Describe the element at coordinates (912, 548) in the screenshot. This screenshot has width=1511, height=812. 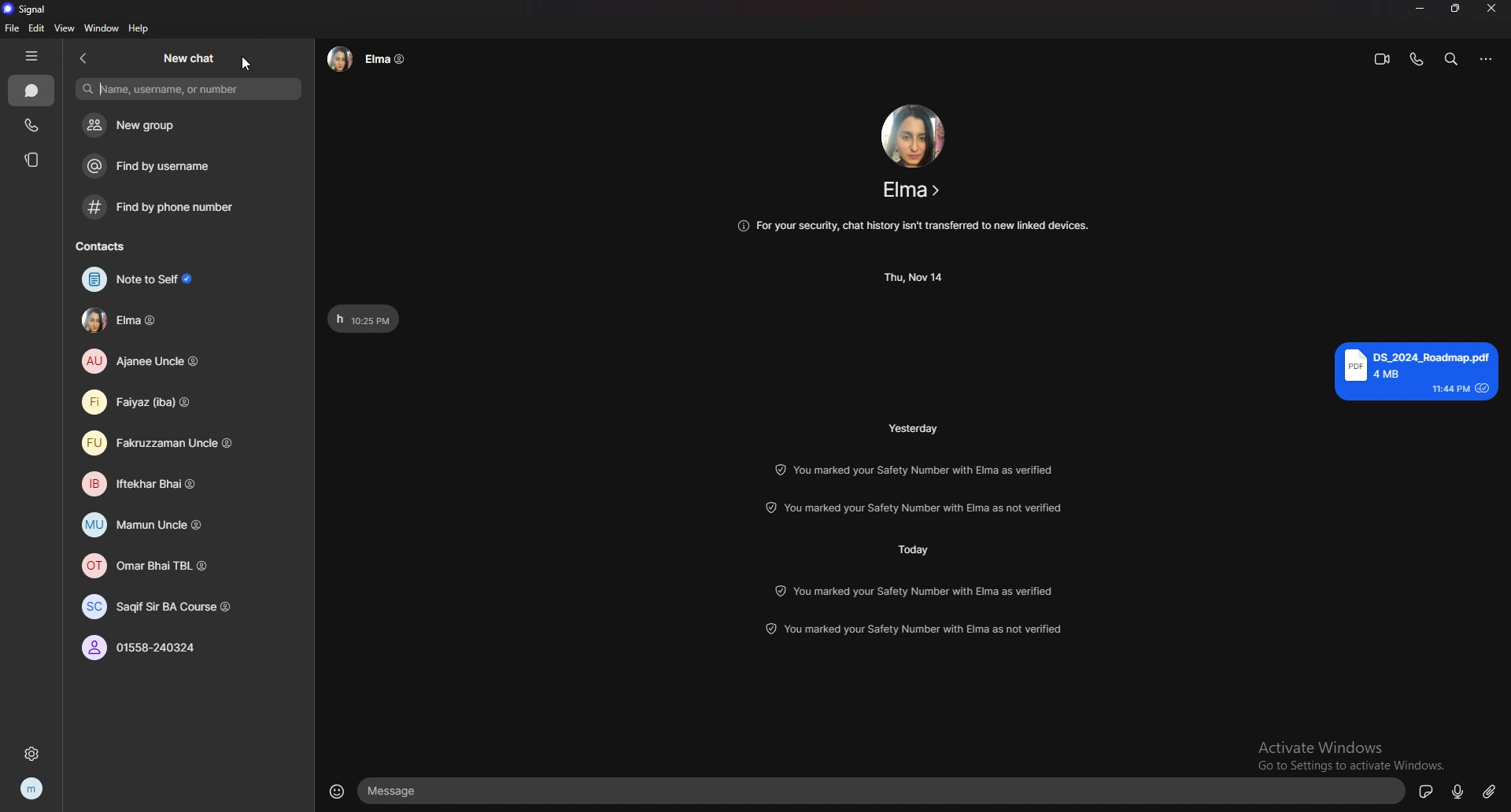
I see `time` at that location.